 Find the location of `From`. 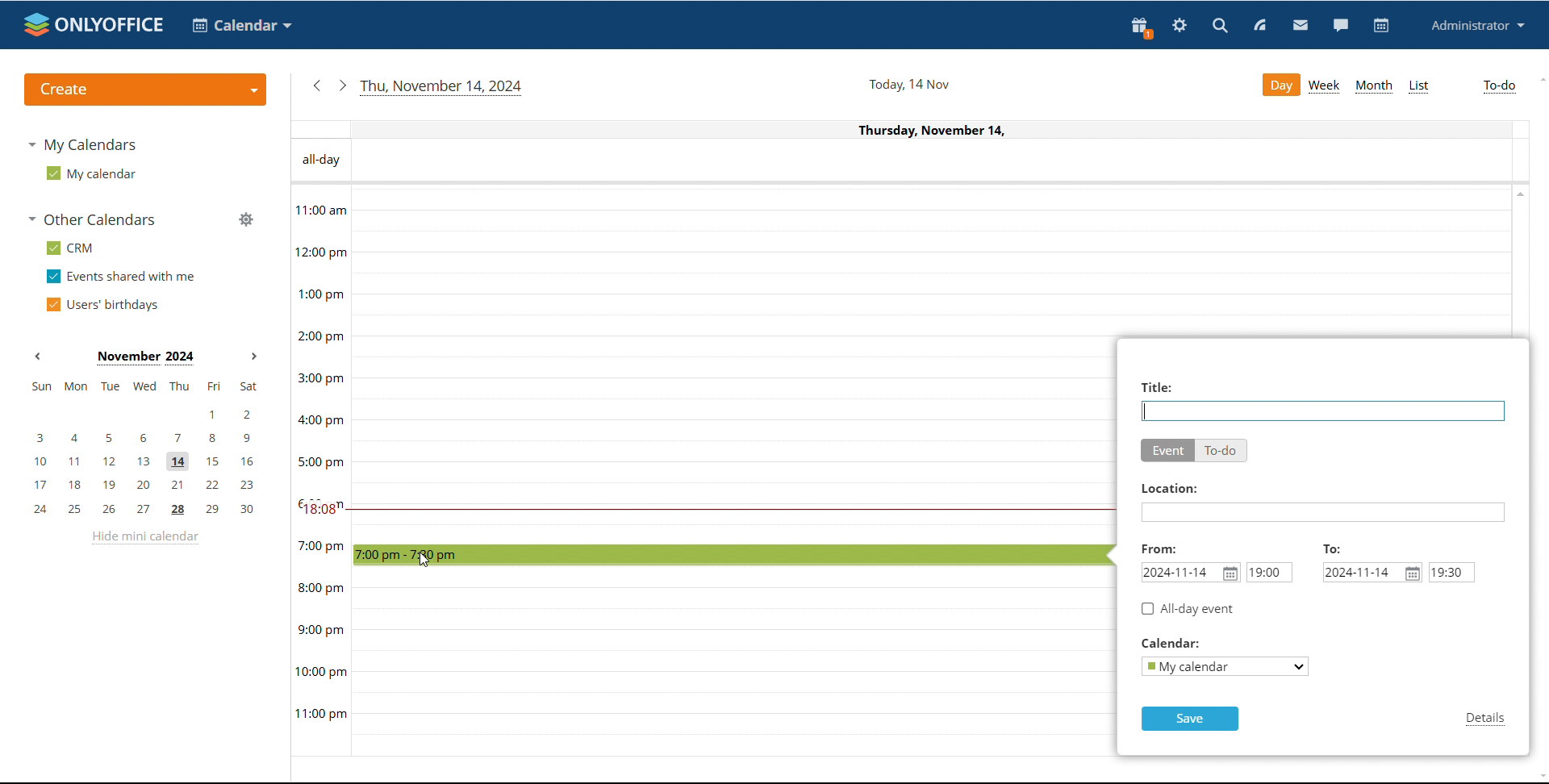

From is located at coordinates (1160, 548).